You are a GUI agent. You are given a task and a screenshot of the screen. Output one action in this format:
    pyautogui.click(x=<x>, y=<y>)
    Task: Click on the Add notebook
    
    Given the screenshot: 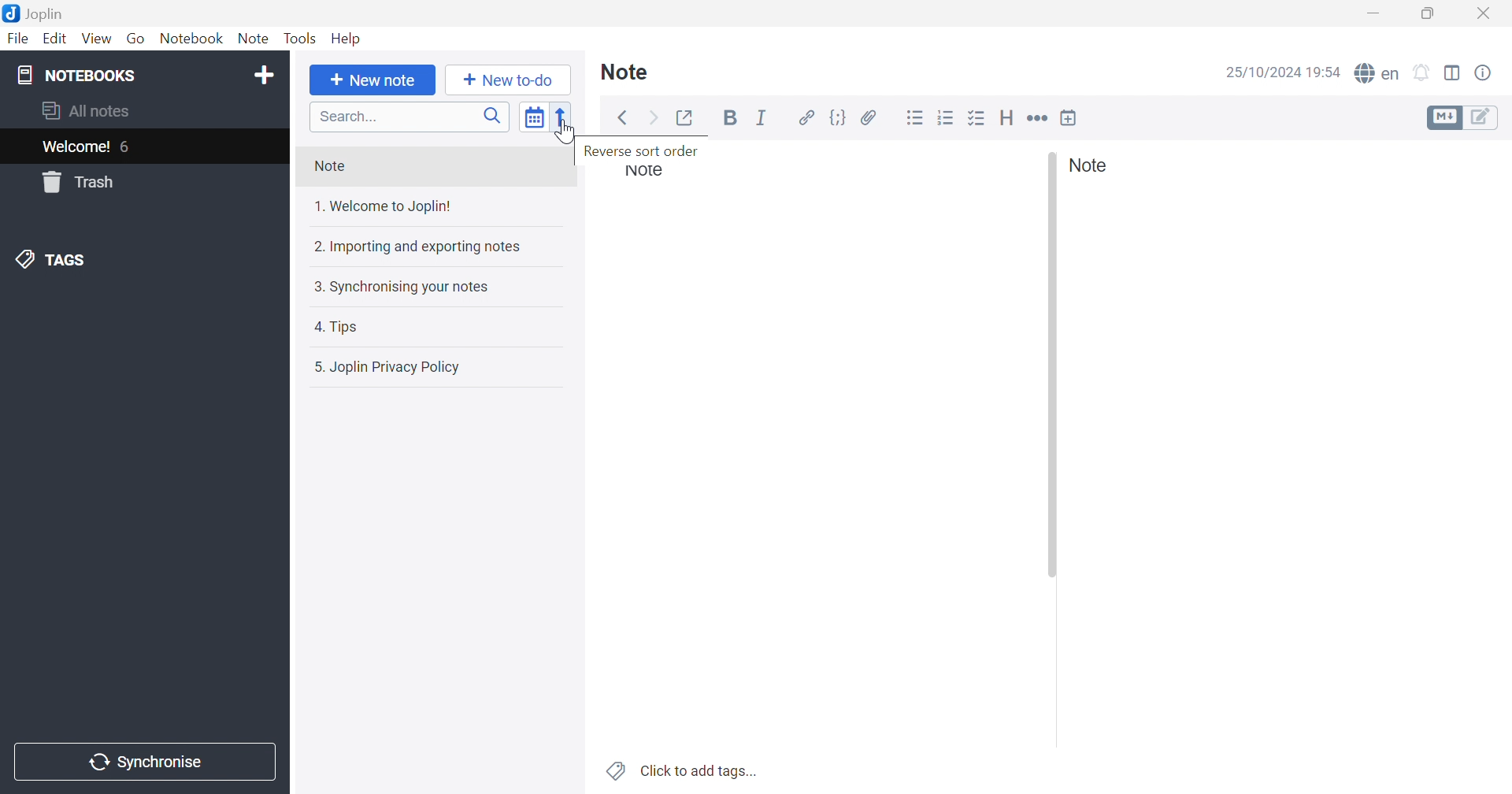 What is the action you would take?
    pyautogui.click(x=264, y=72)
    